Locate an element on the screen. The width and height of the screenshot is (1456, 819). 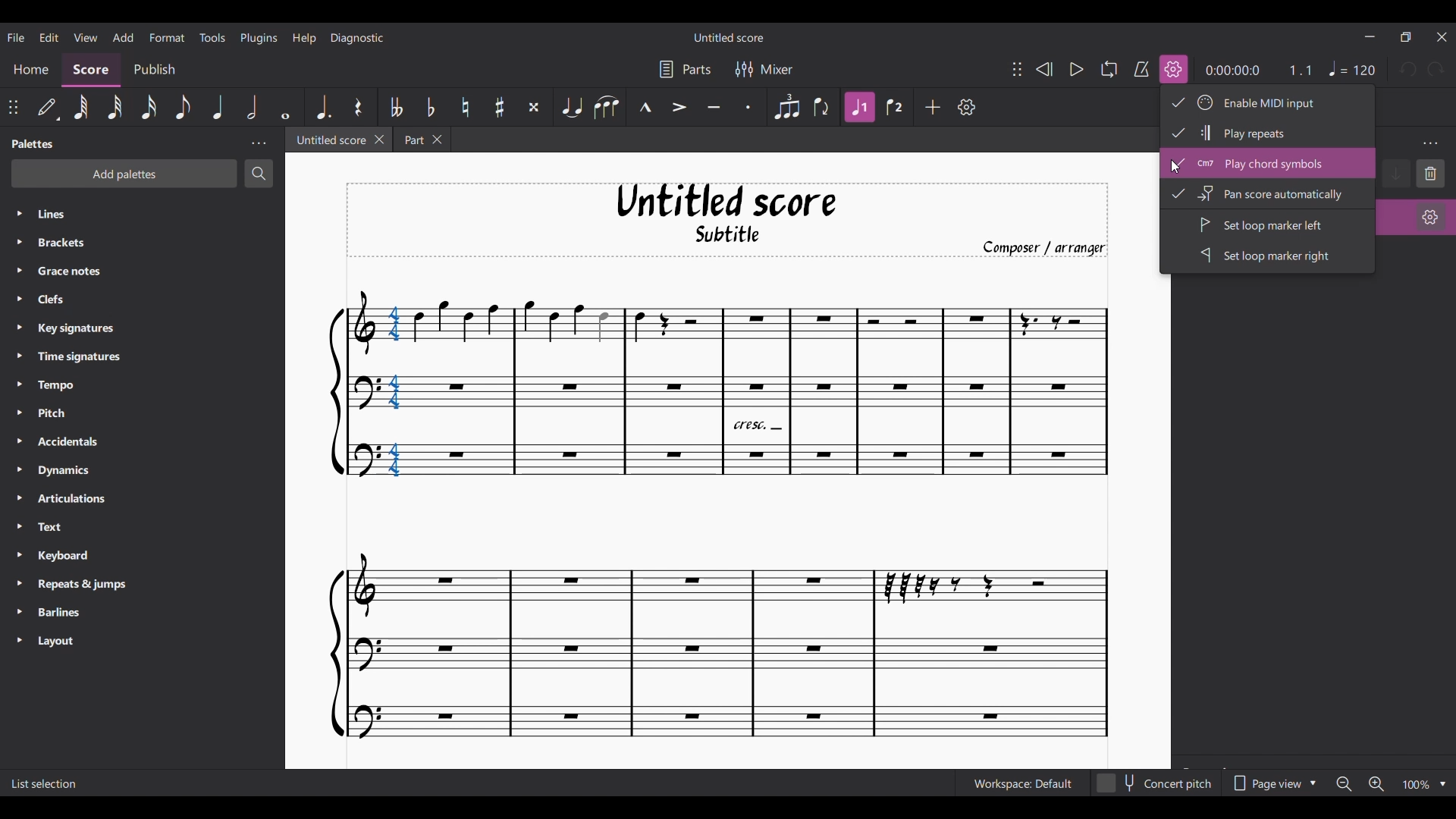
Highlighted after current selection is located at coordinates (860, 107).